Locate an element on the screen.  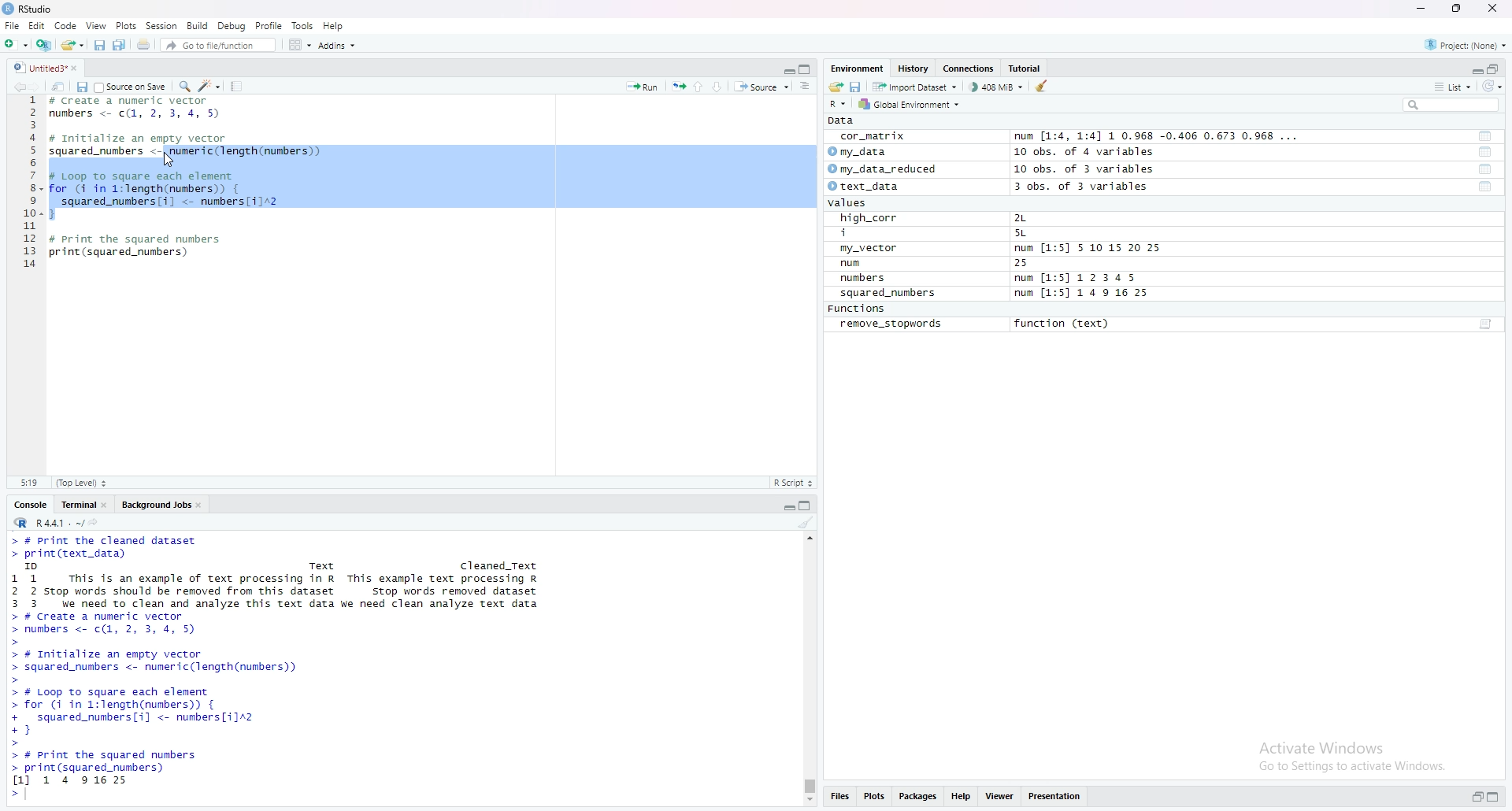
Help is located at coordinates (962, 798).